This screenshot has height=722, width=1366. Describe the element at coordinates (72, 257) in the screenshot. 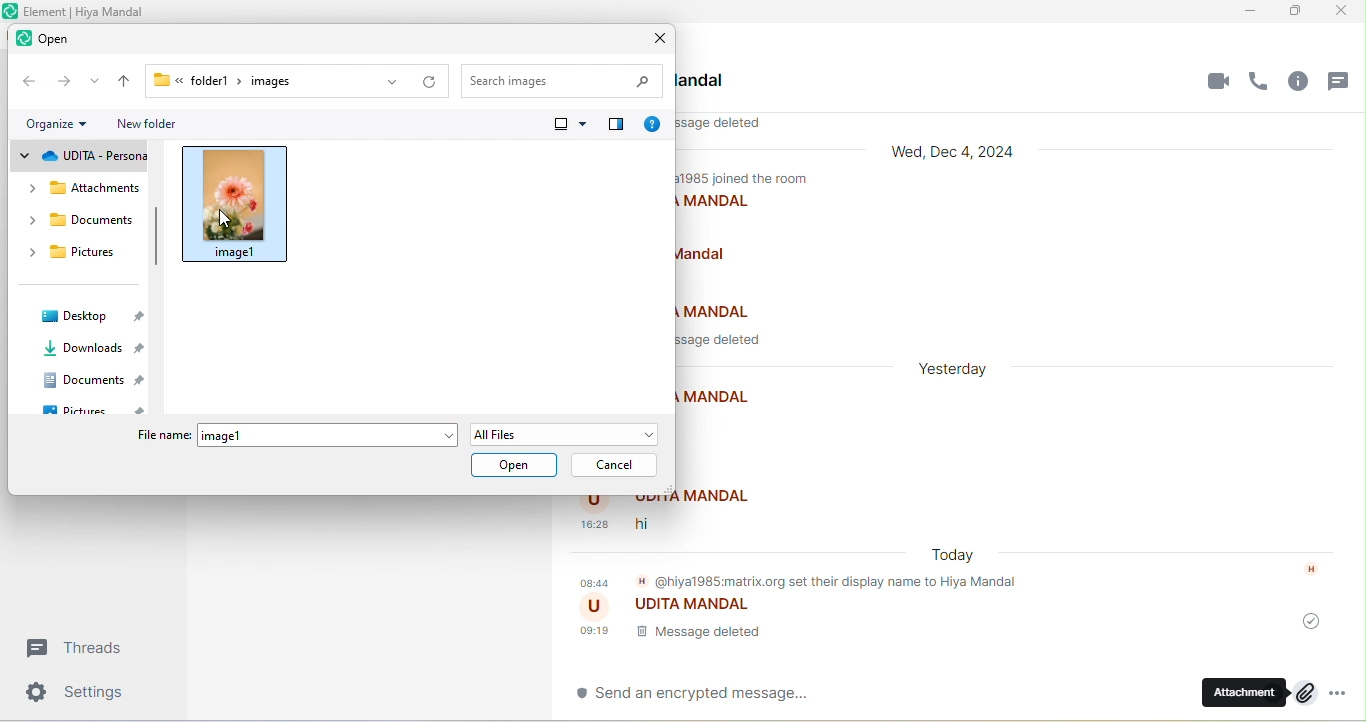

I see `pictures` at that location.